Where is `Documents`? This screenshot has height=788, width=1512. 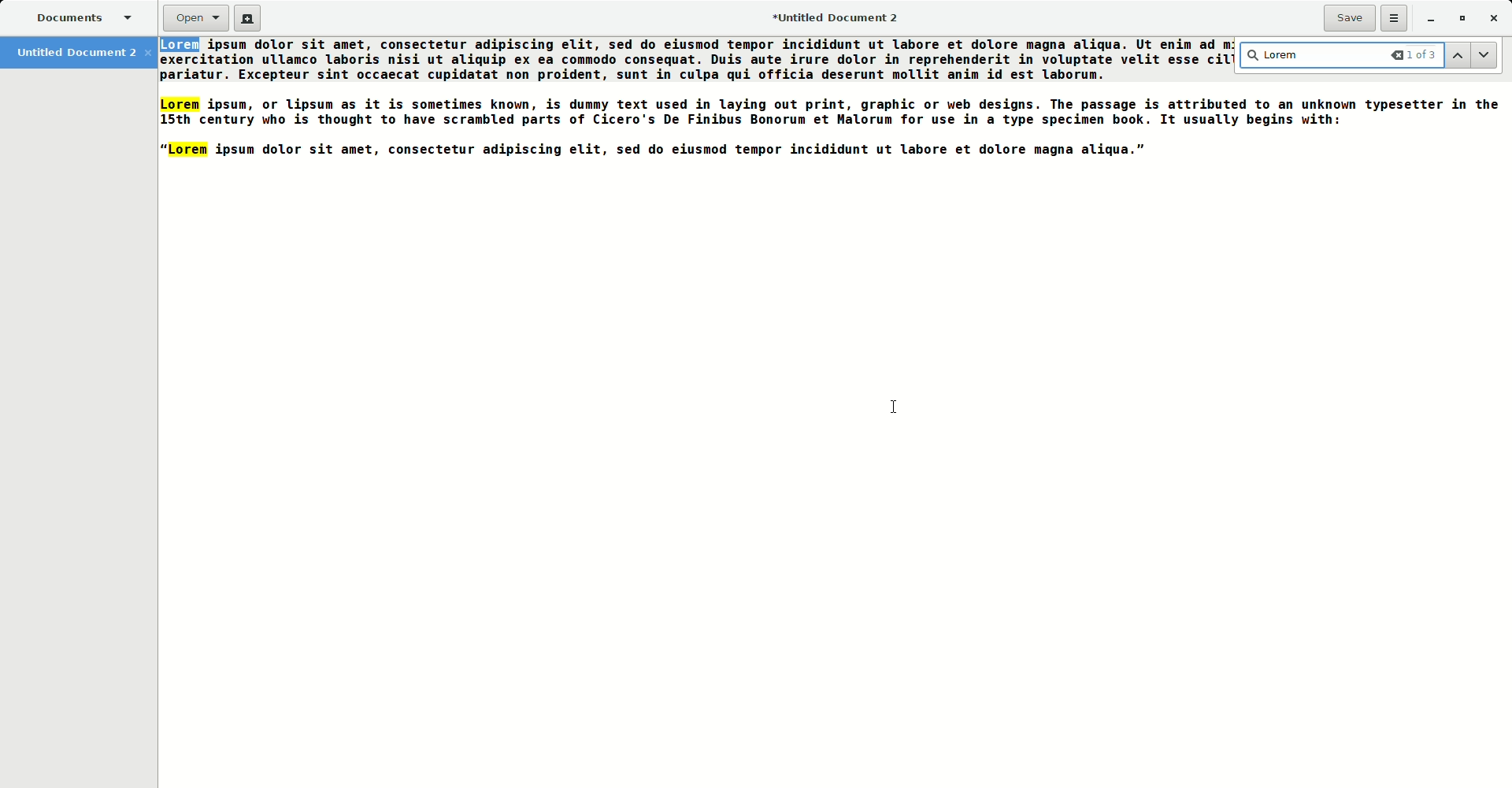 Documents is located at coordinates (76, 17).